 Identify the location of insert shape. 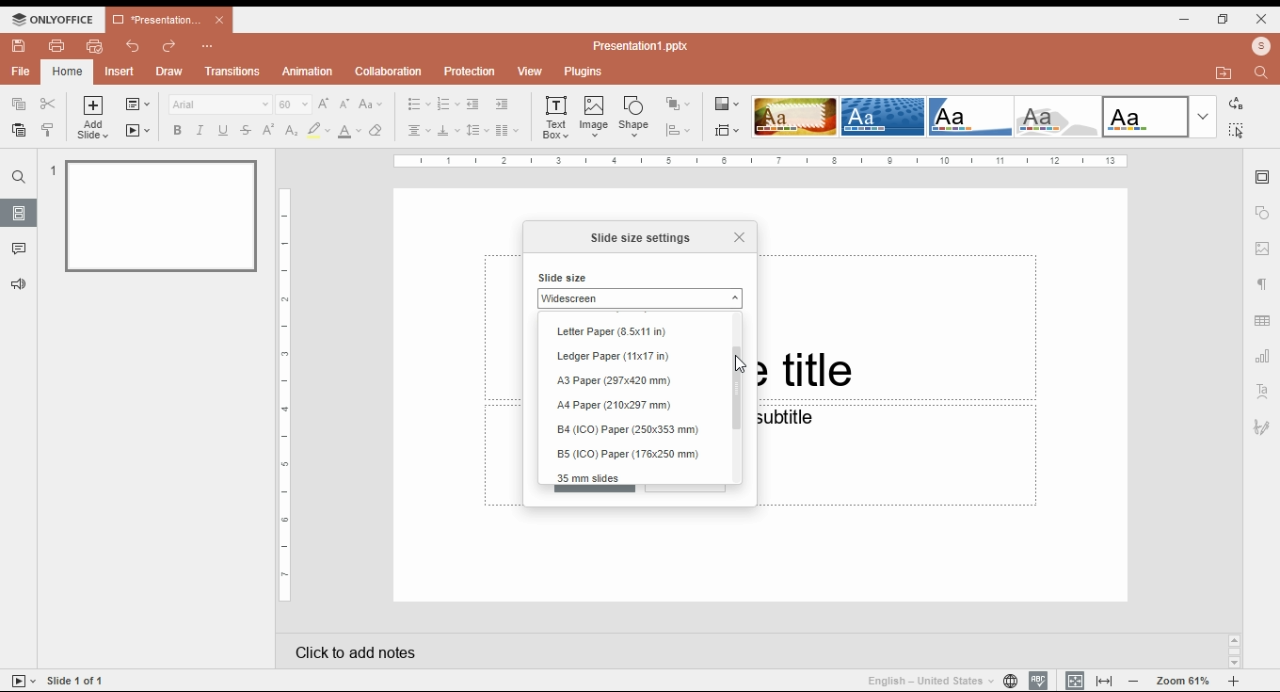
(635, 116).